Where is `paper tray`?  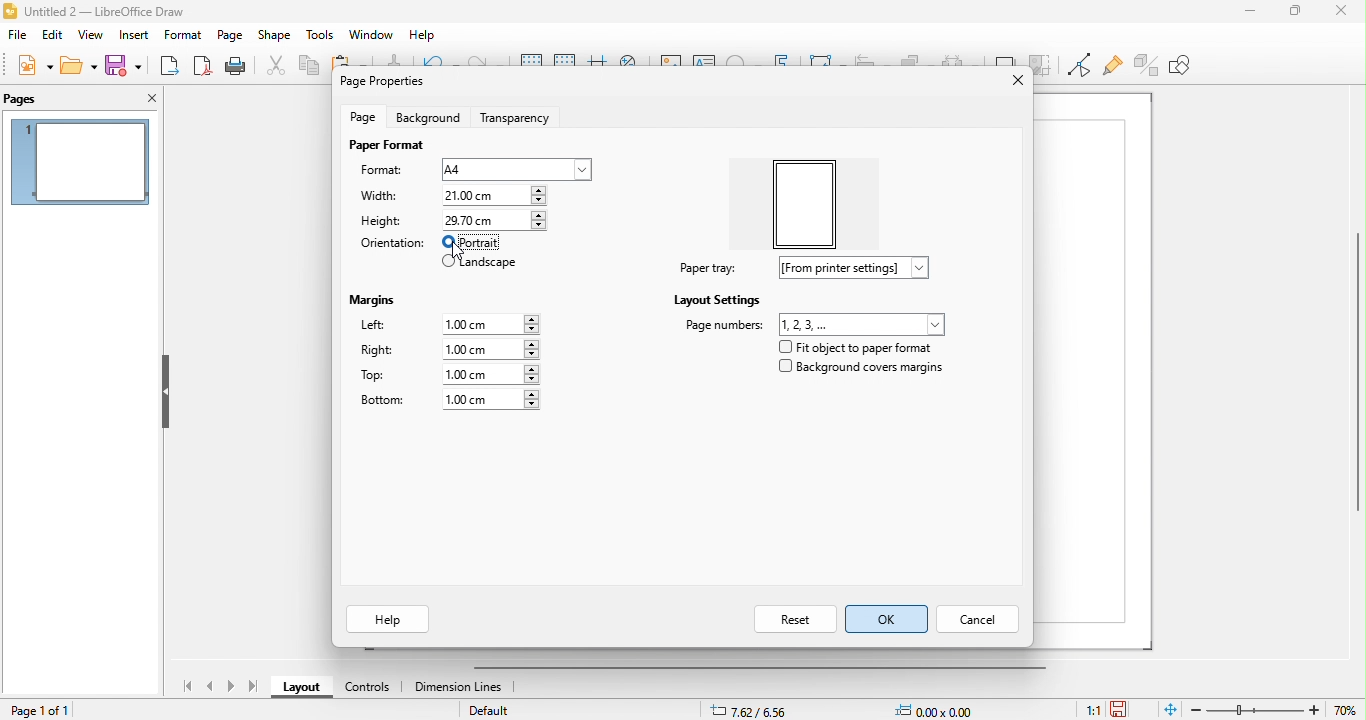 paper tray is located at coordinates (813, 270).